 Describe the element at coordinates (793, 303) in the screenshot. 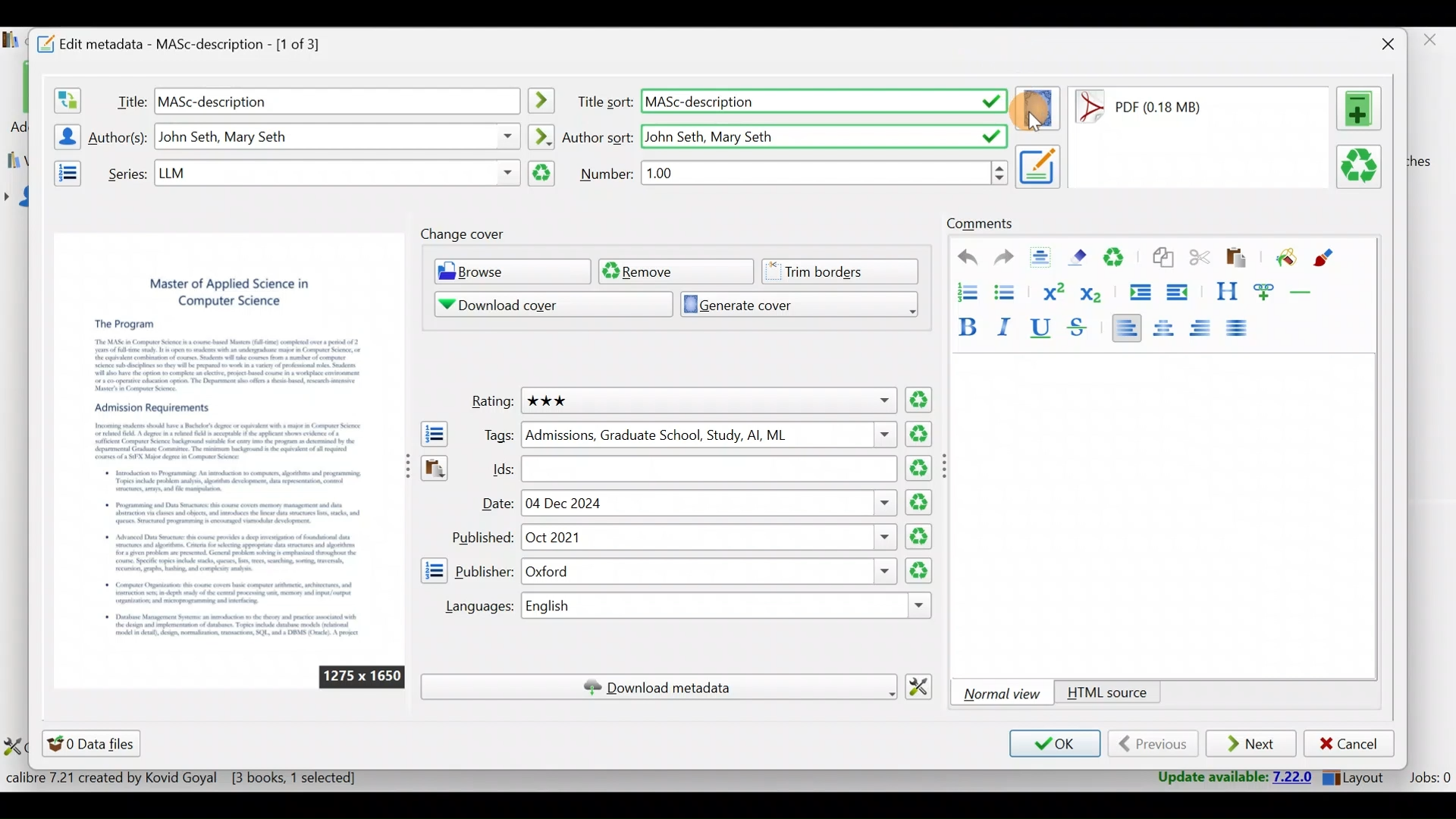

I see `Generate cover` at that location.